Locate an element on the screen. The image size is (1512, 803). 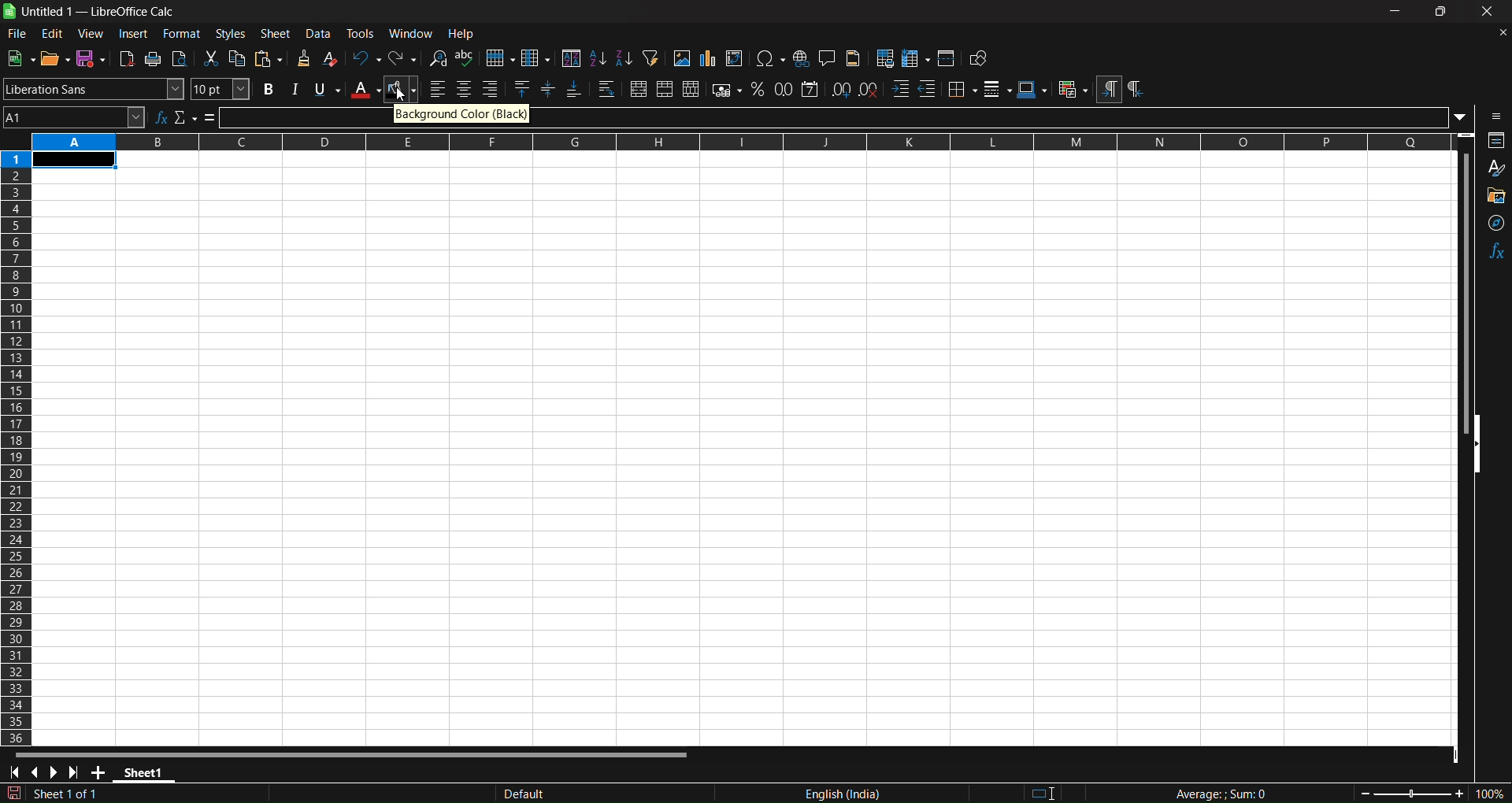
redo is located at coordinates (404, 57).